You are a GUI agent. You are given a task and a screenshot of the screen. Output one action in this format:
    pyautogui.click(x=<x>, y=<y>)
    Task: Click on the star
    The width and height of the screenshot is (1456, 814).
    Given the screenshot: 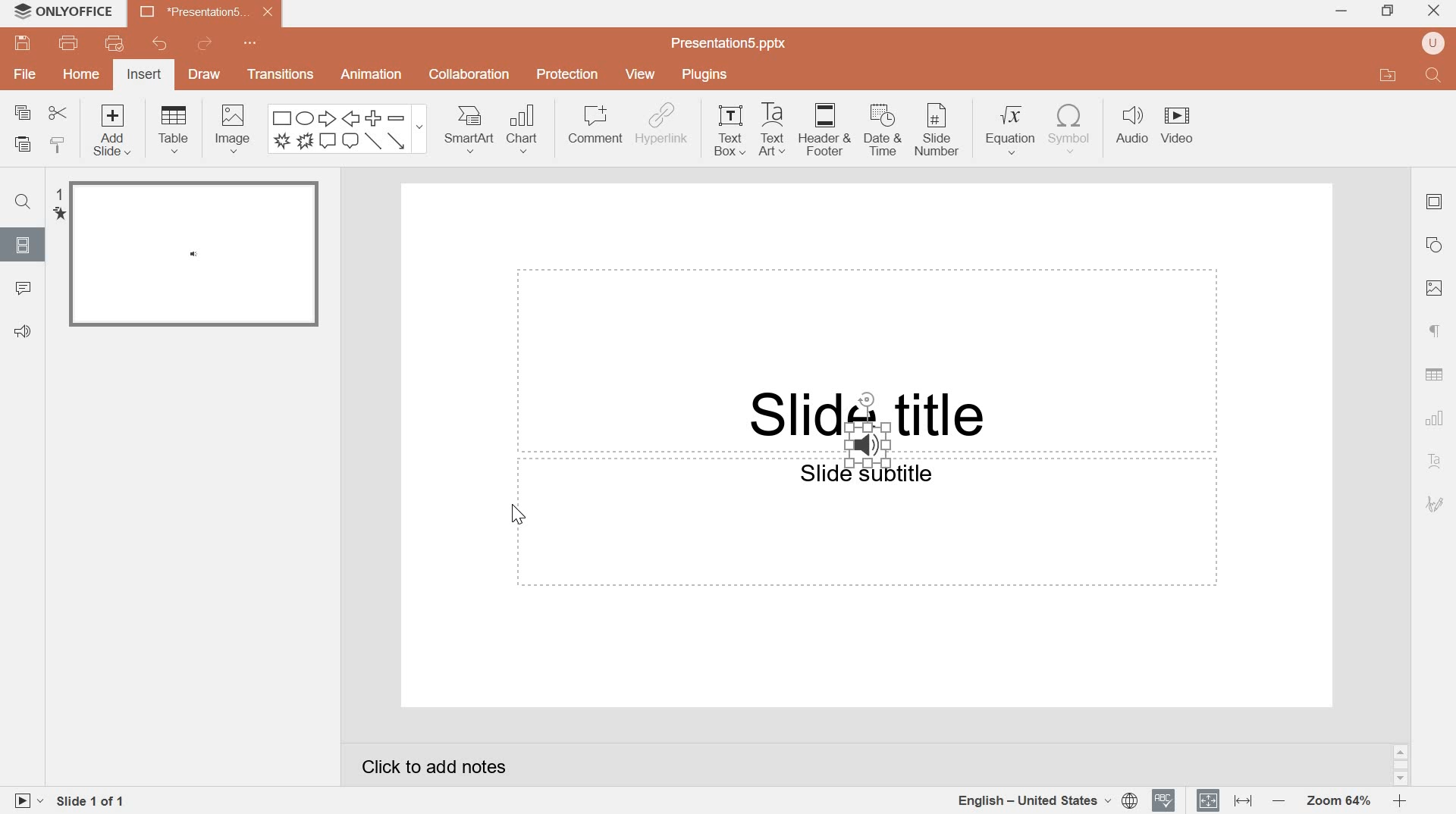 What is the action you would take?
    pyautogui.click(x=58, y=214)
    